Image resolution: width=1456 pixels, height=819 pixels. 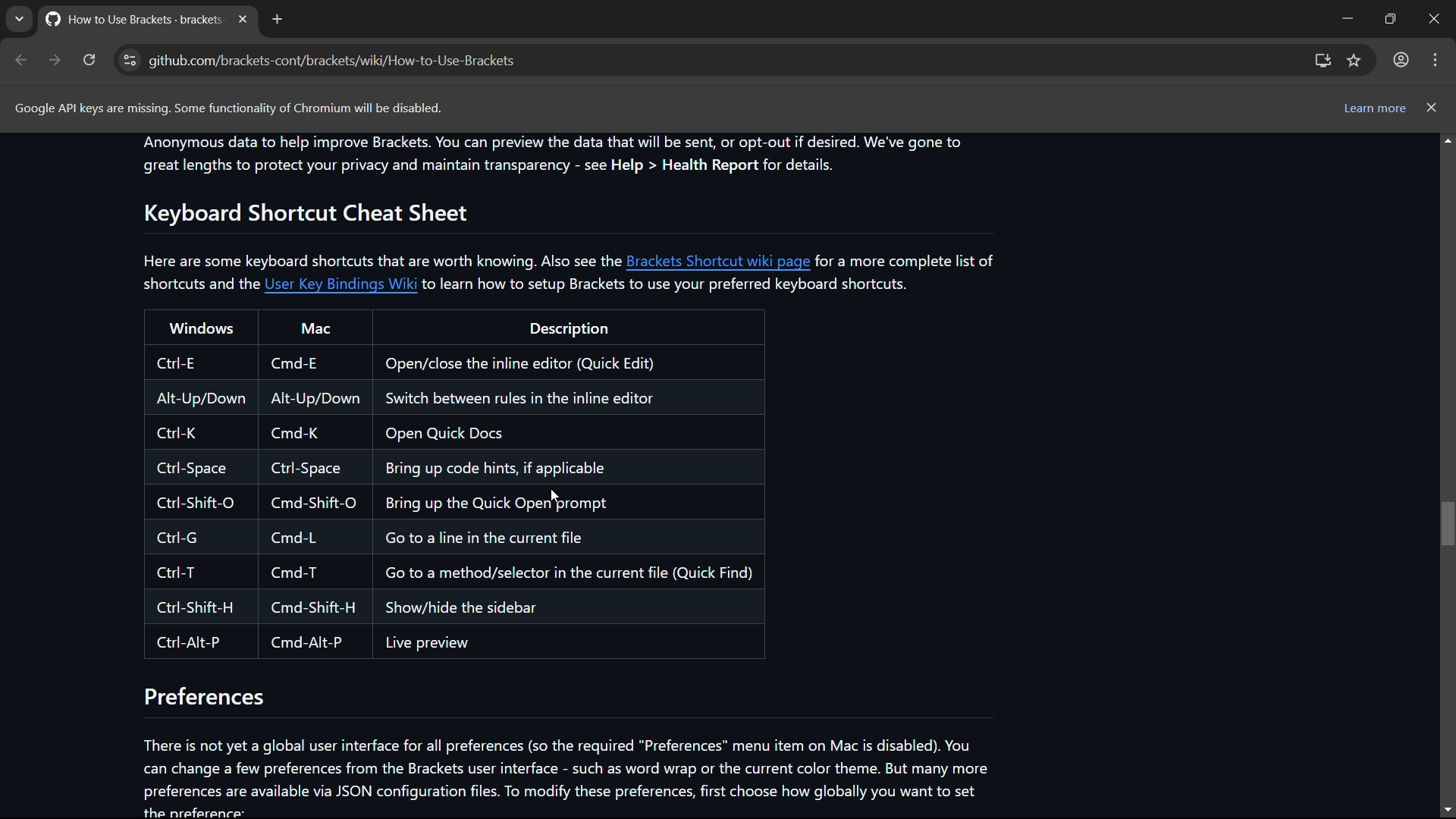 What do you see at coordinates (197, 284) in the screenshot?
I see `shortcuts and the` at bounding box center [197, 284].